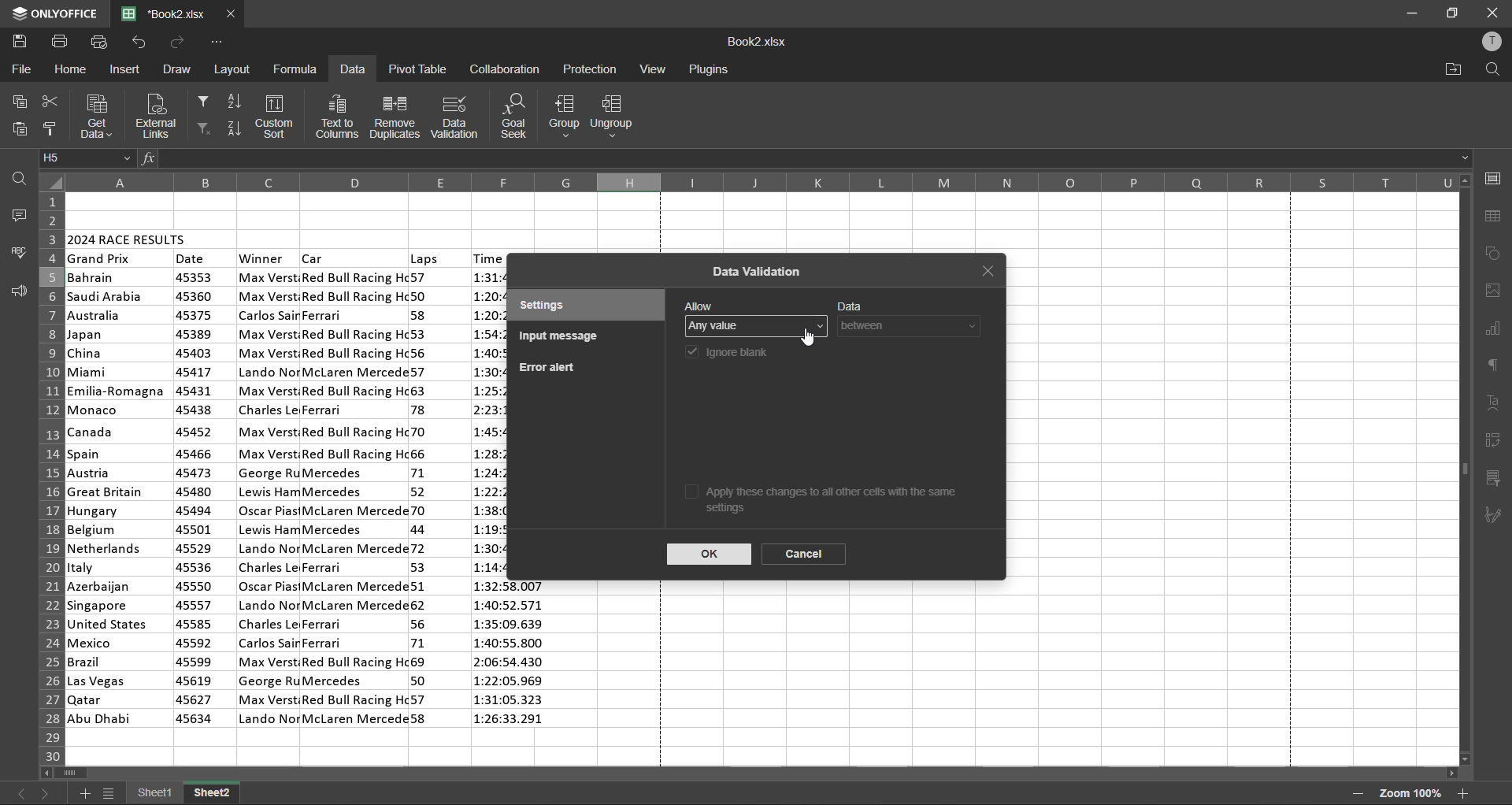 This screenshot has height=805, width=1512. I want to click on find, so click(1488, 69).